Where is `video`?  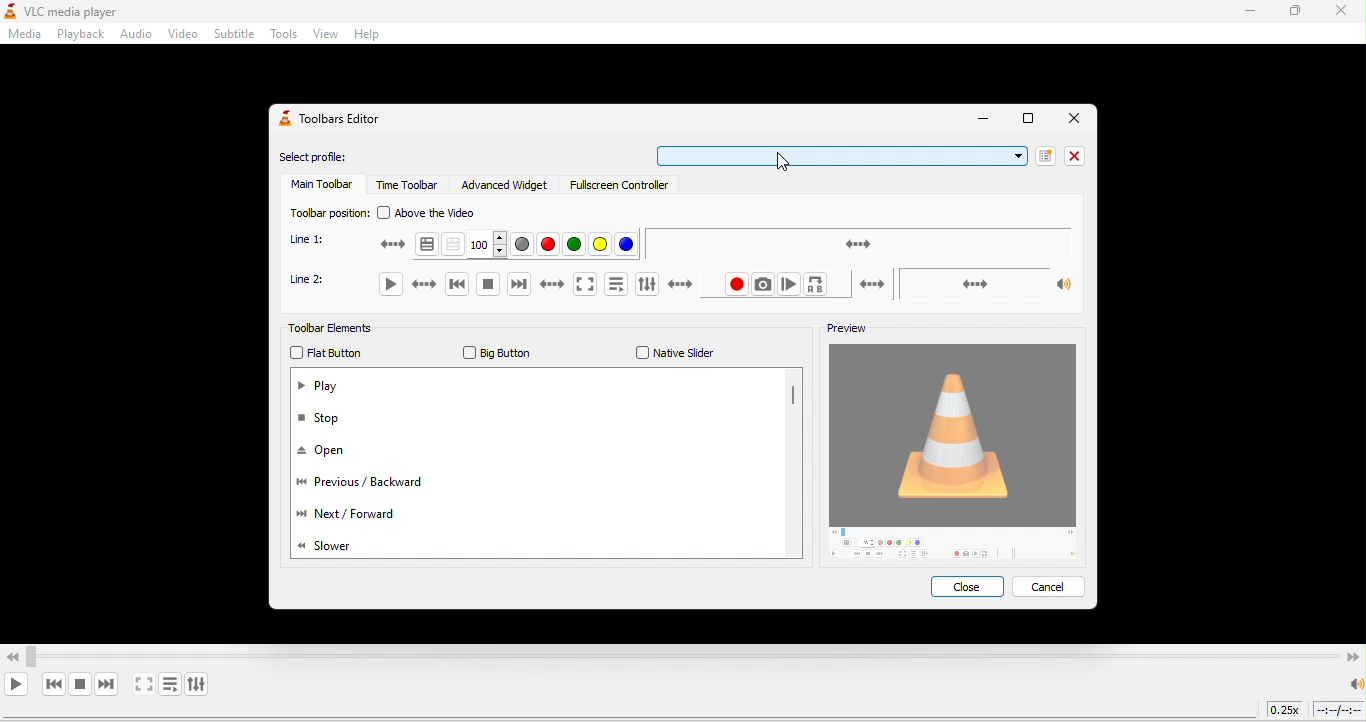
video is located at coordinates (181, 35).